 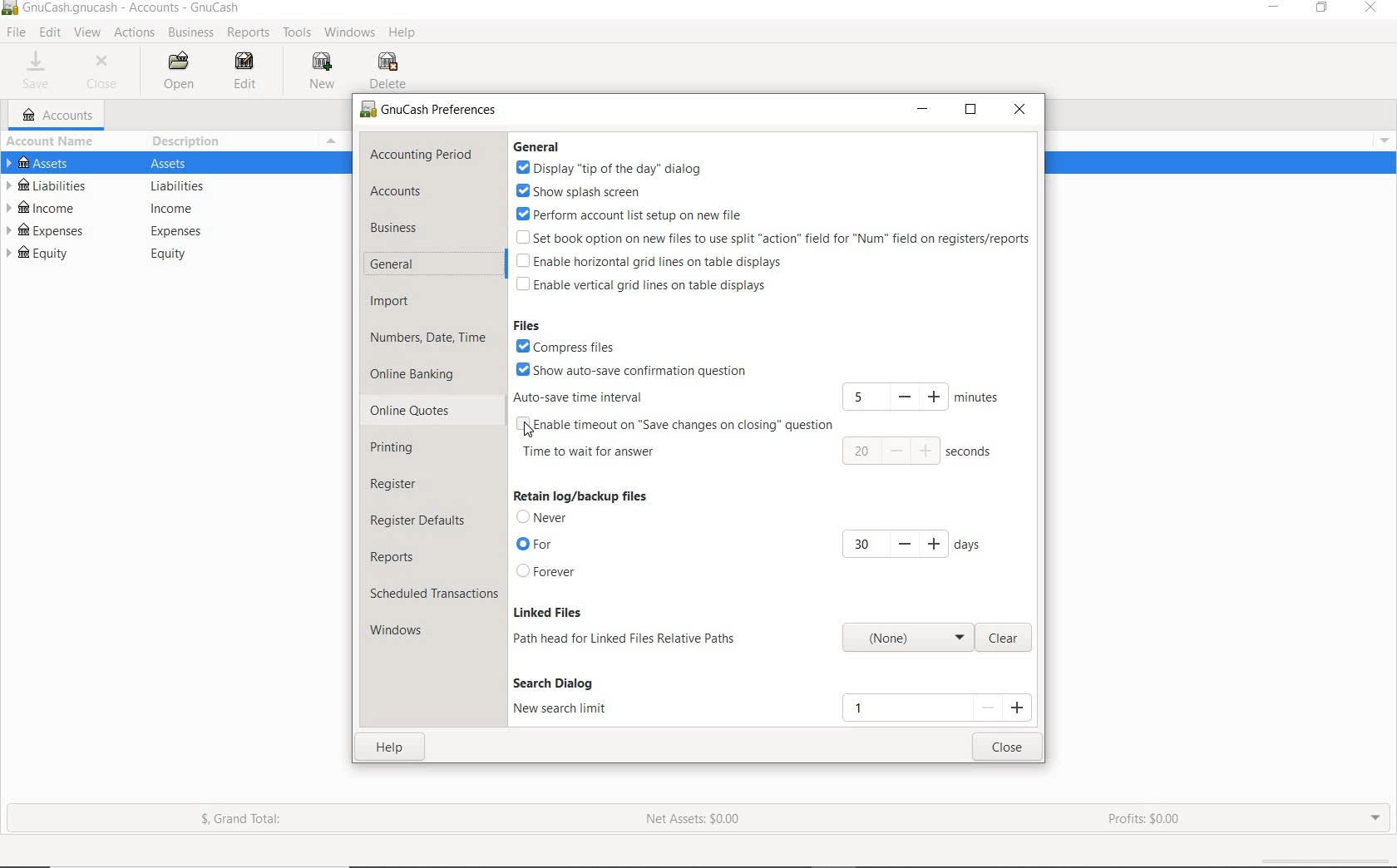 I want to click on path head for linked files relative paths, so click(x=629, y=638).